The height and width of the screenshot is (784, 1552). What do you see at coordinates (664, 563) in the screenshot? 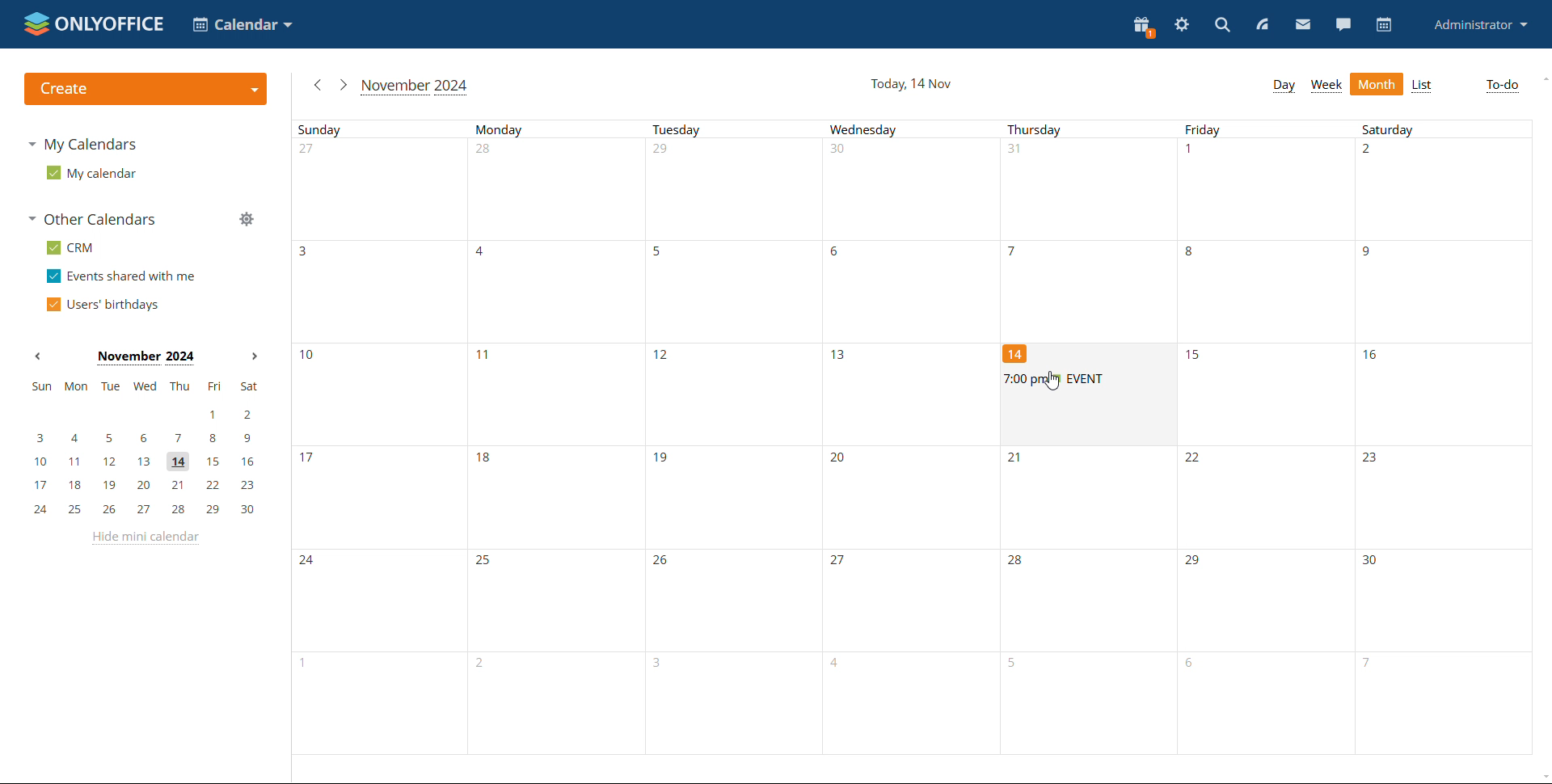
I see `number` at bounding box center [664, 563].